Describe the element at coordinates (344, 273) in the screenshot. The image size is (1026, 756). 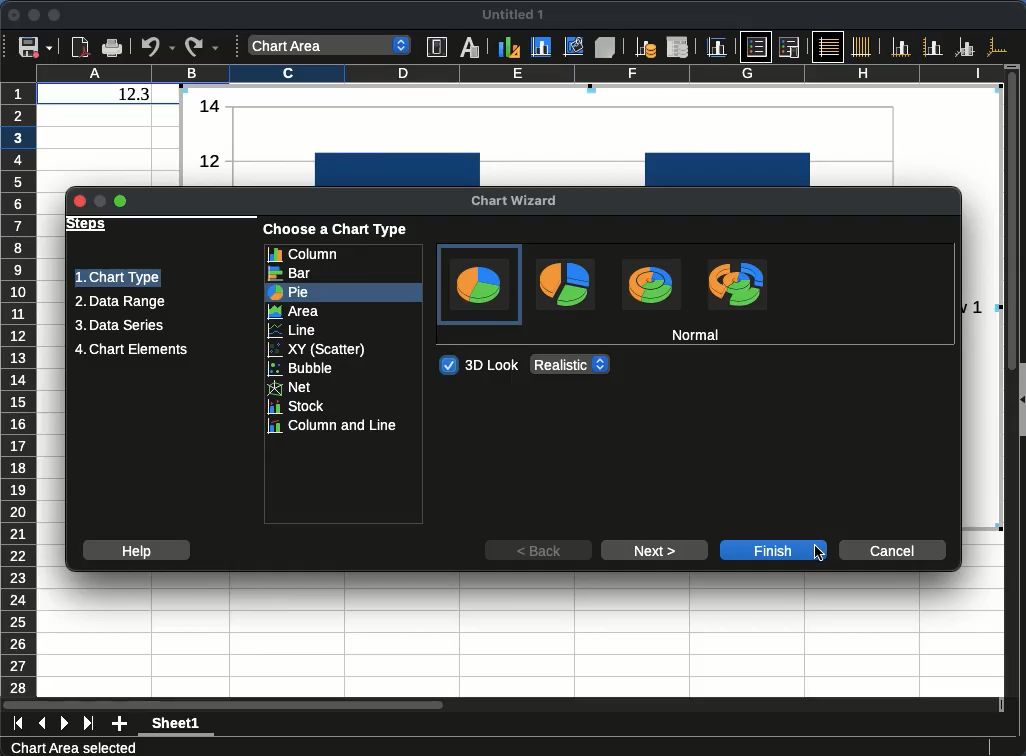
I see `bar` at that location.